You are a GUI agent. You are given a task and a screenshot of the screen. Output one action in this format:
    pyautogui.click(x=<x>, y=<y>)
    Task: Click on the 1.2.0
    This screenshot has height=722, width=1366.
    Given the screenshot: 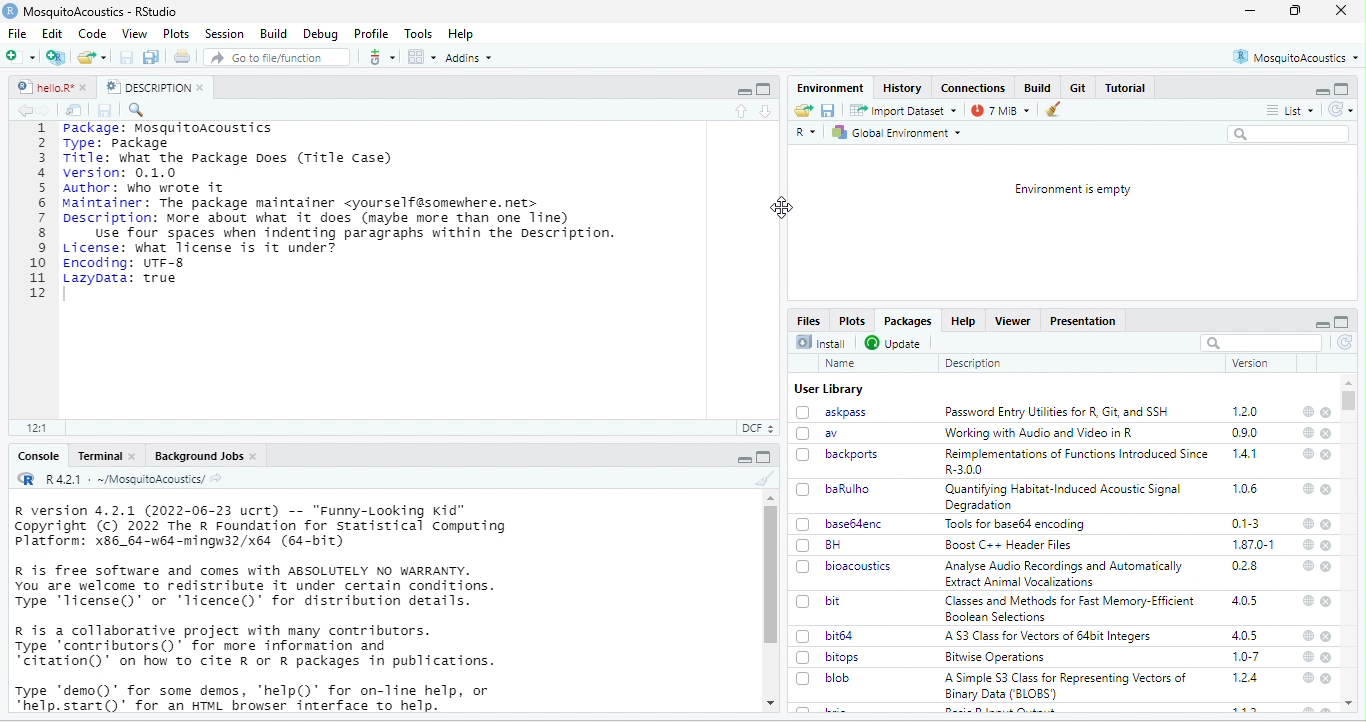 What is the action you would take?
    pyautogui.click(x=1246, y=411)
    